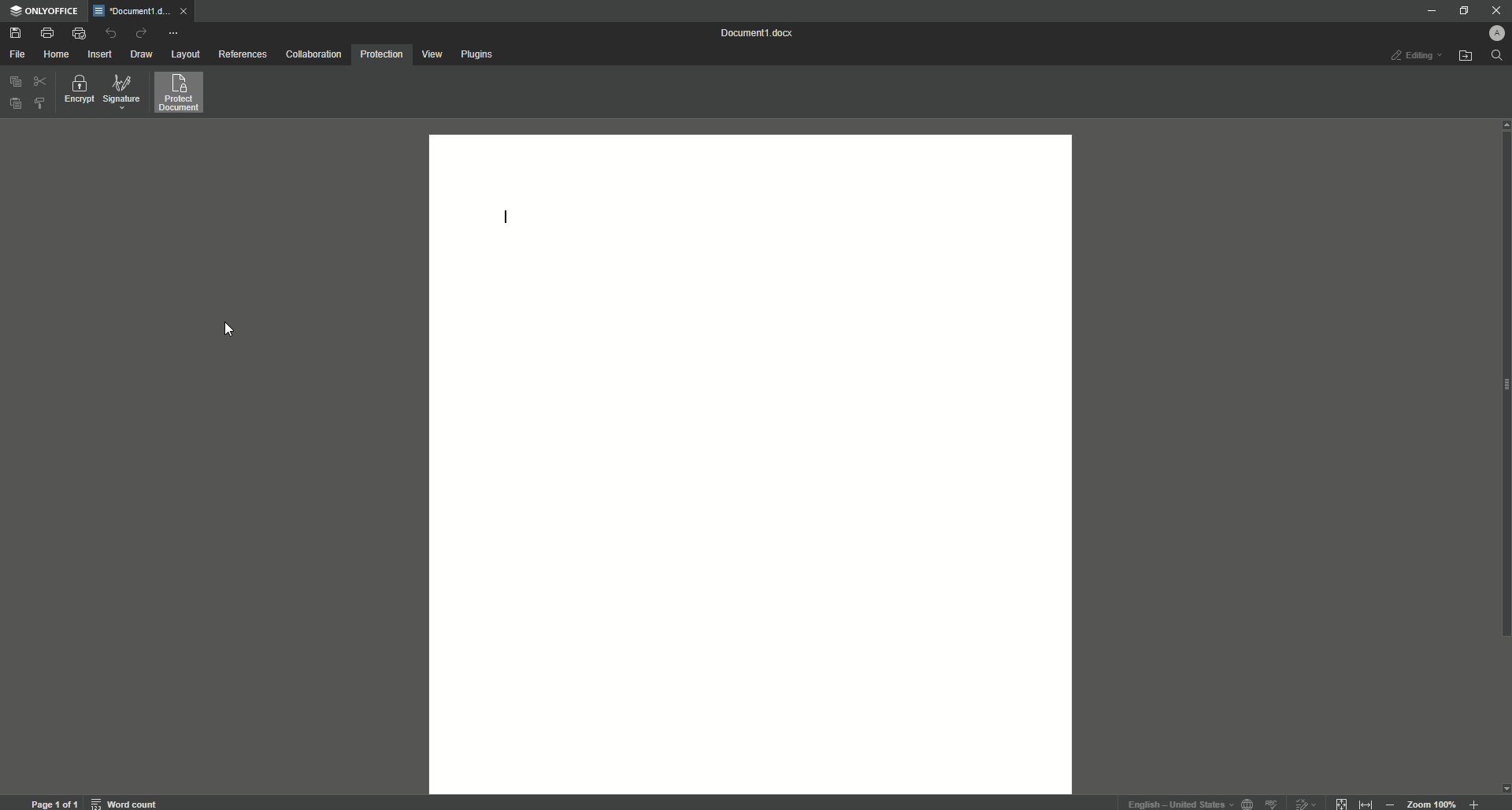 Image resolution: width=1512 pixels, height=810 pixels. What do you see at coordinates (1273, 803) in the screenshot?
I see `spell check` at bounding box center [1273, 803].